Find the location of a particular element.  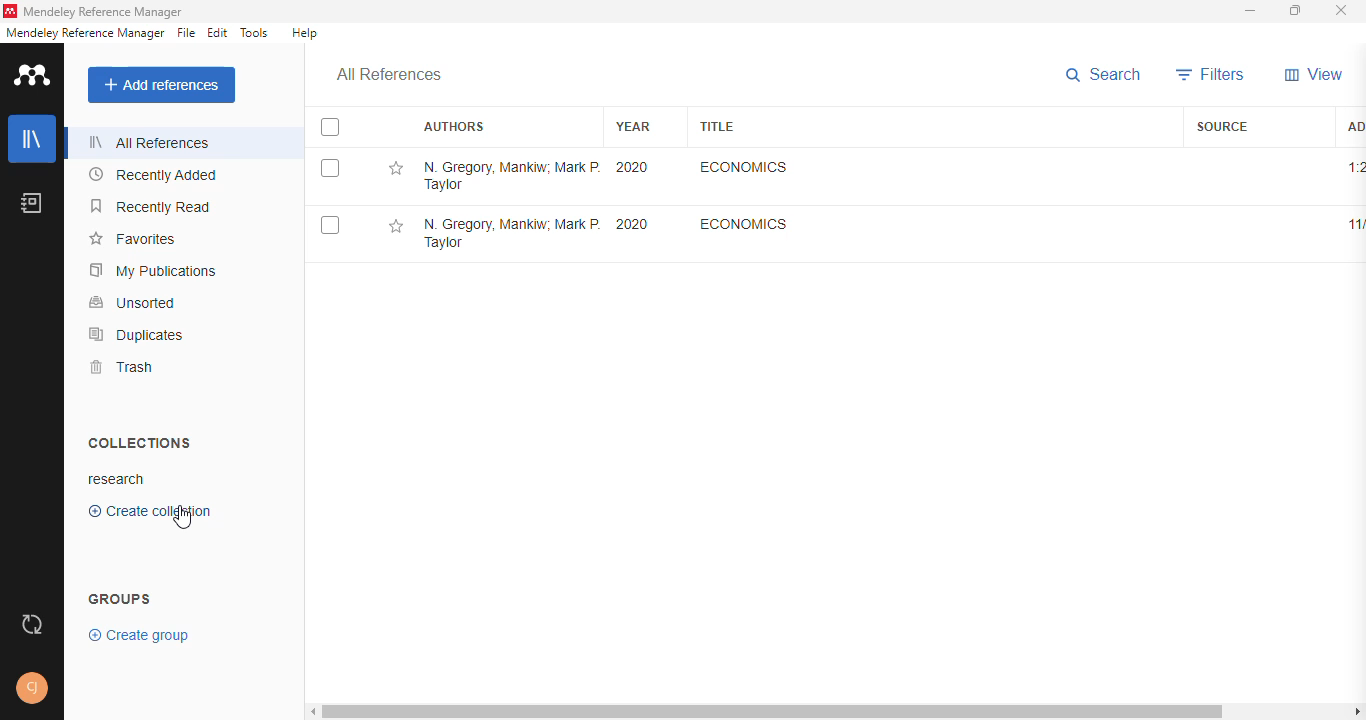

N. Gregory Mankiw, Mark P. Taylor is located at coordinates (510, 235).